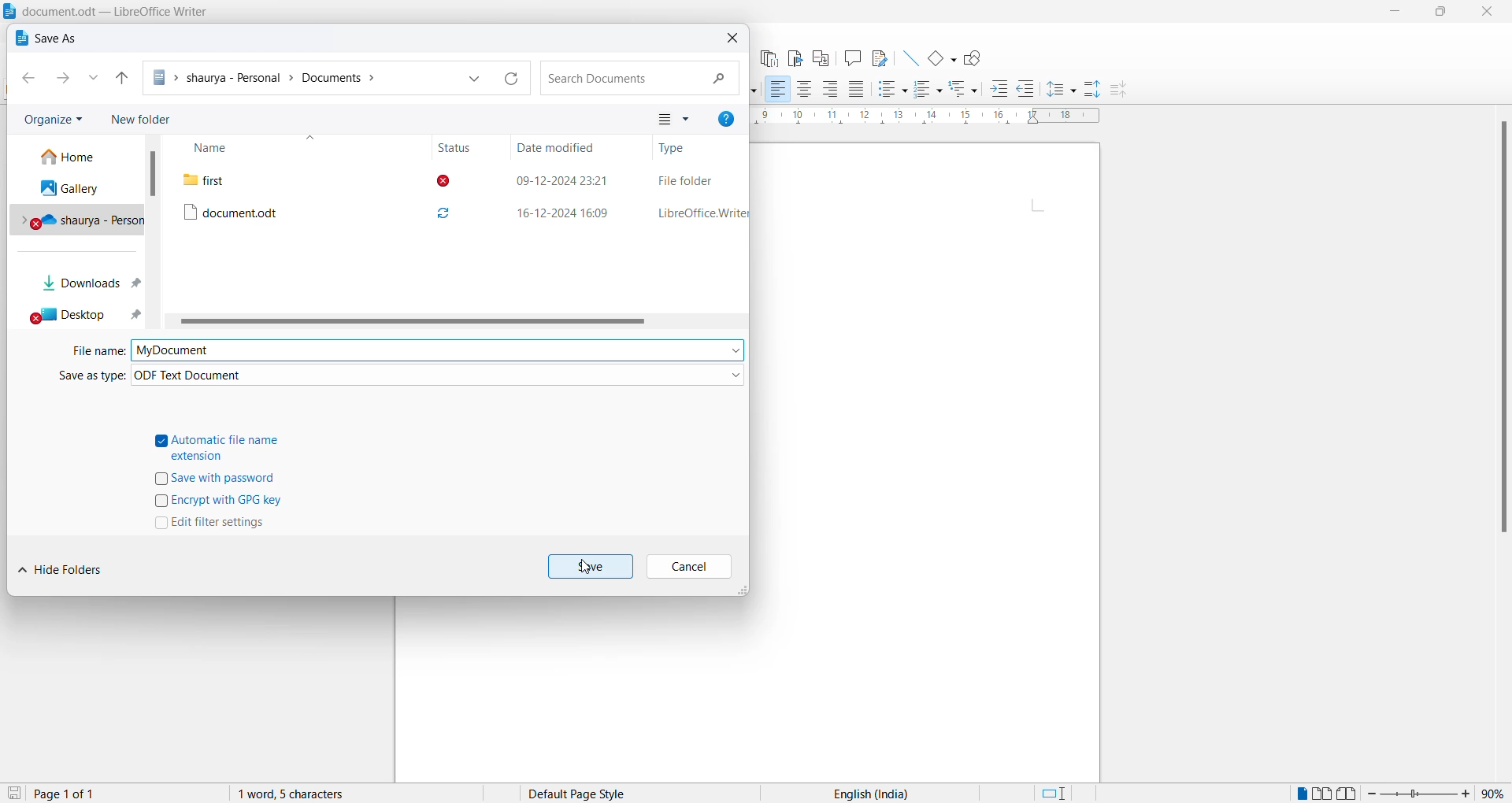  I want to click on page, so click(930, 461).